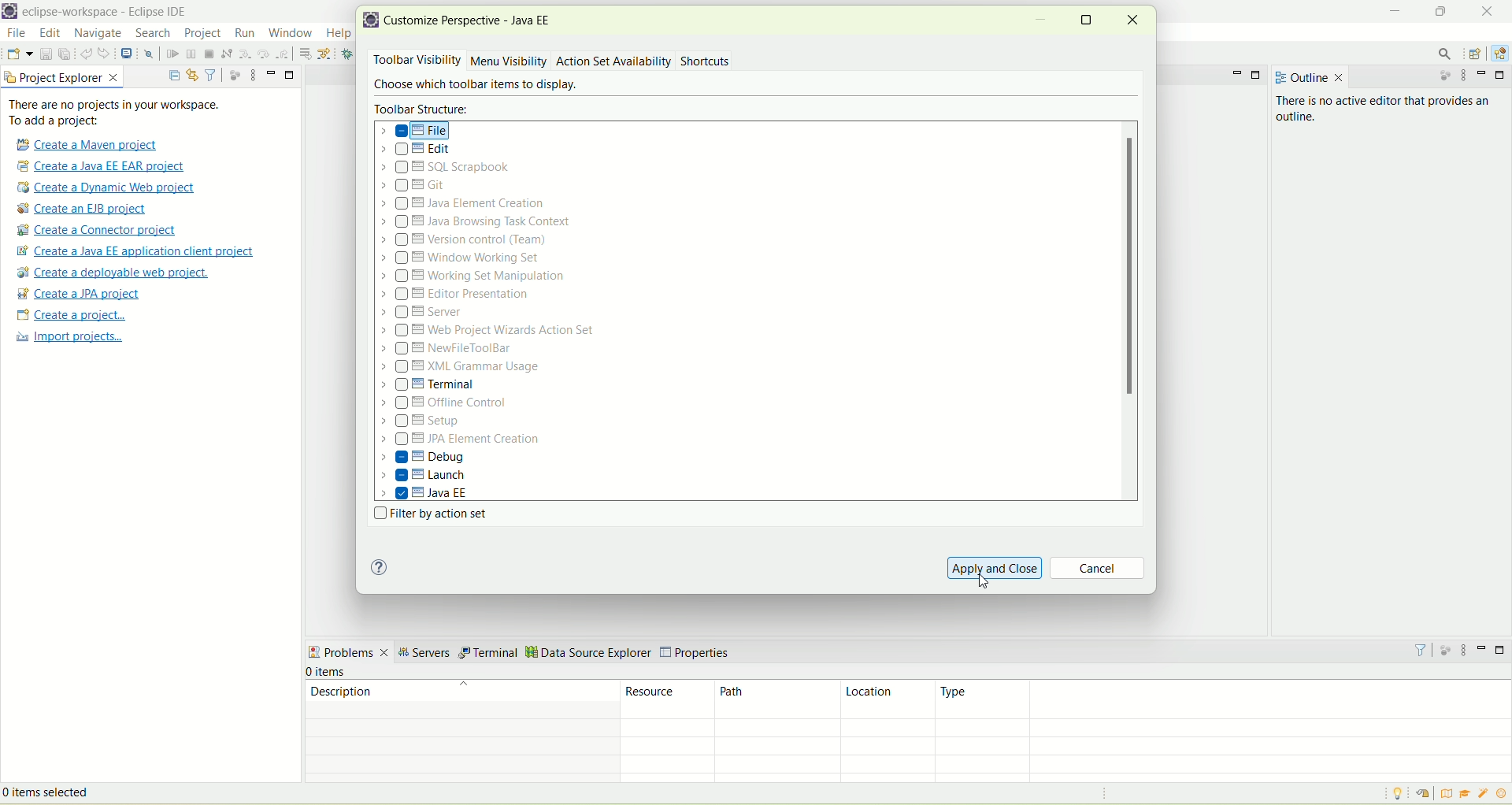 The image size is (1512, 805). Describe the element at coordinates (233, 74) in the screenshot. I see `focus on active task` at that location.